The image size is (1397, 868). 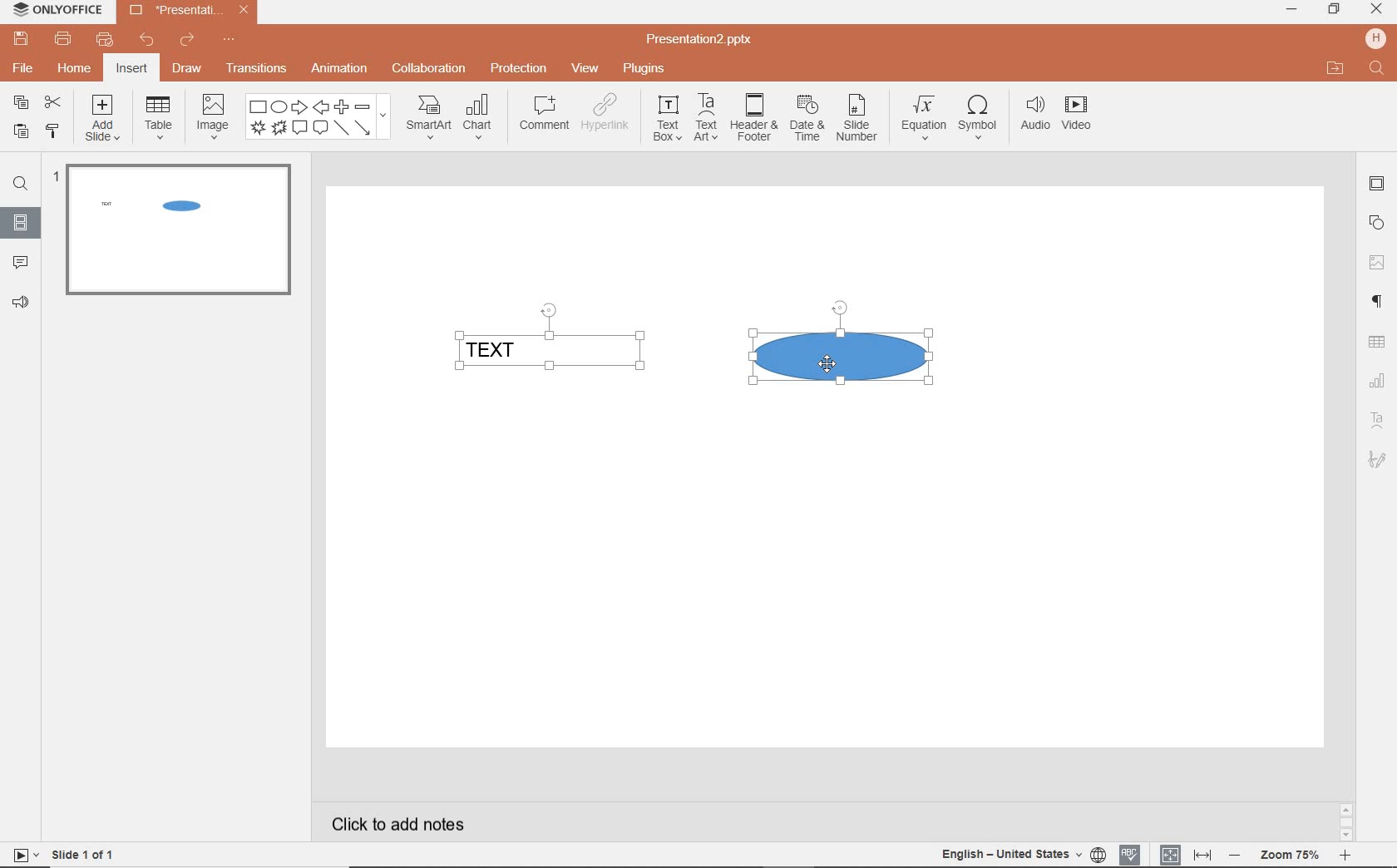 I want to click on symbol, so click(x=975, y=121).